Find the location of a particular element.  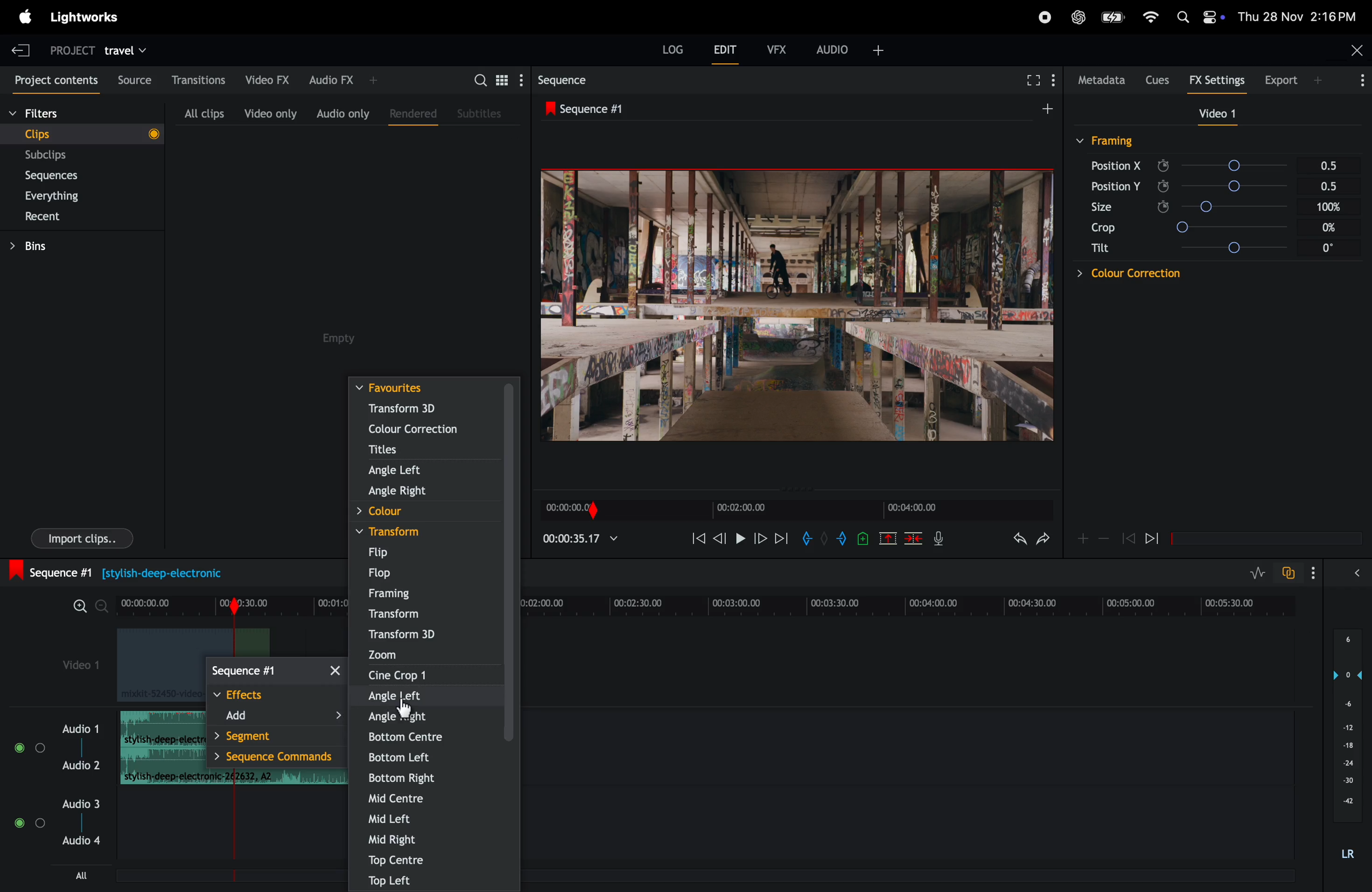

color correction is located at coordinates (1111, 274).